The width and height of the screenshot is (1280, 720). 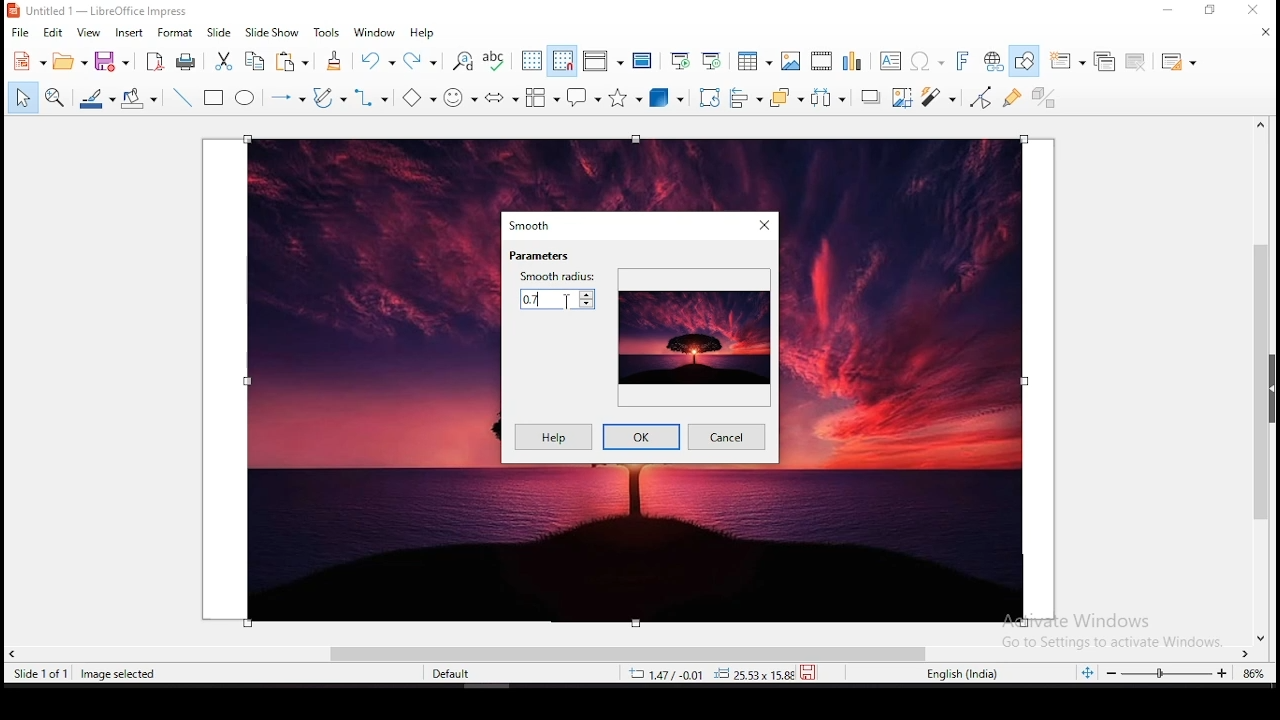 I want to click on slide, so click(x=220, y=32).